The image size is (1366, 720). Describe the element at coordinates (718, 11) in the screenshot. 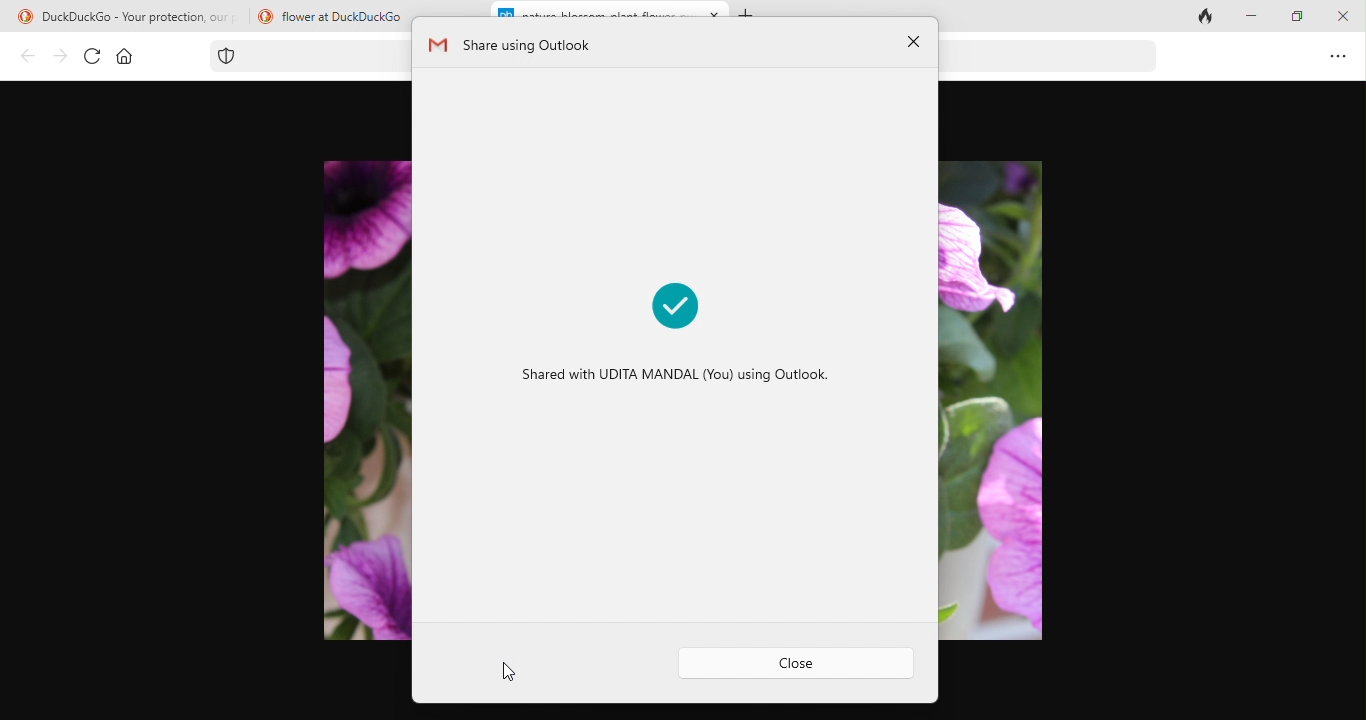

I see `close` at that location.